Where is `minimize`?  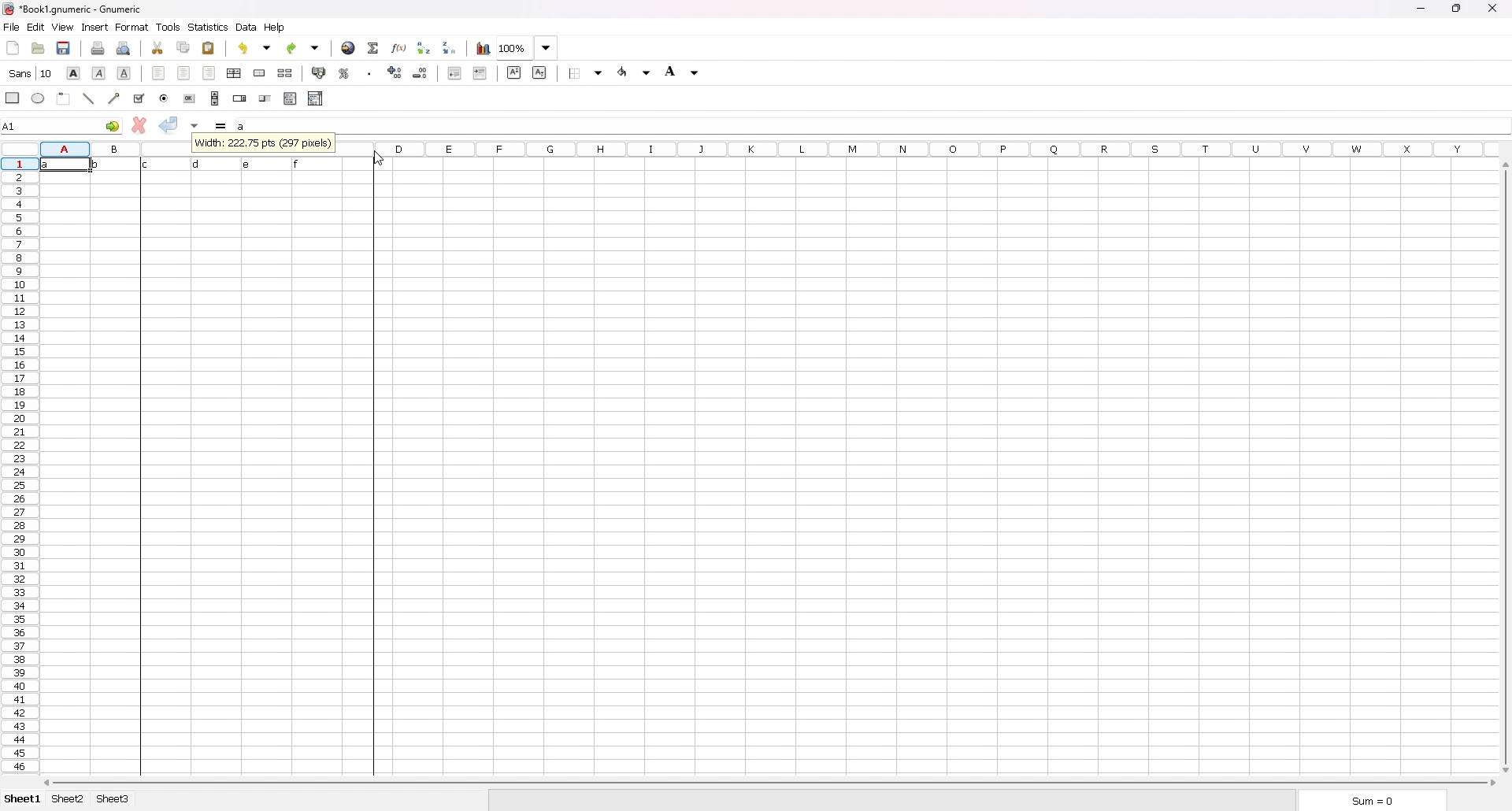
minimize is located at coordinates (1420, 9).